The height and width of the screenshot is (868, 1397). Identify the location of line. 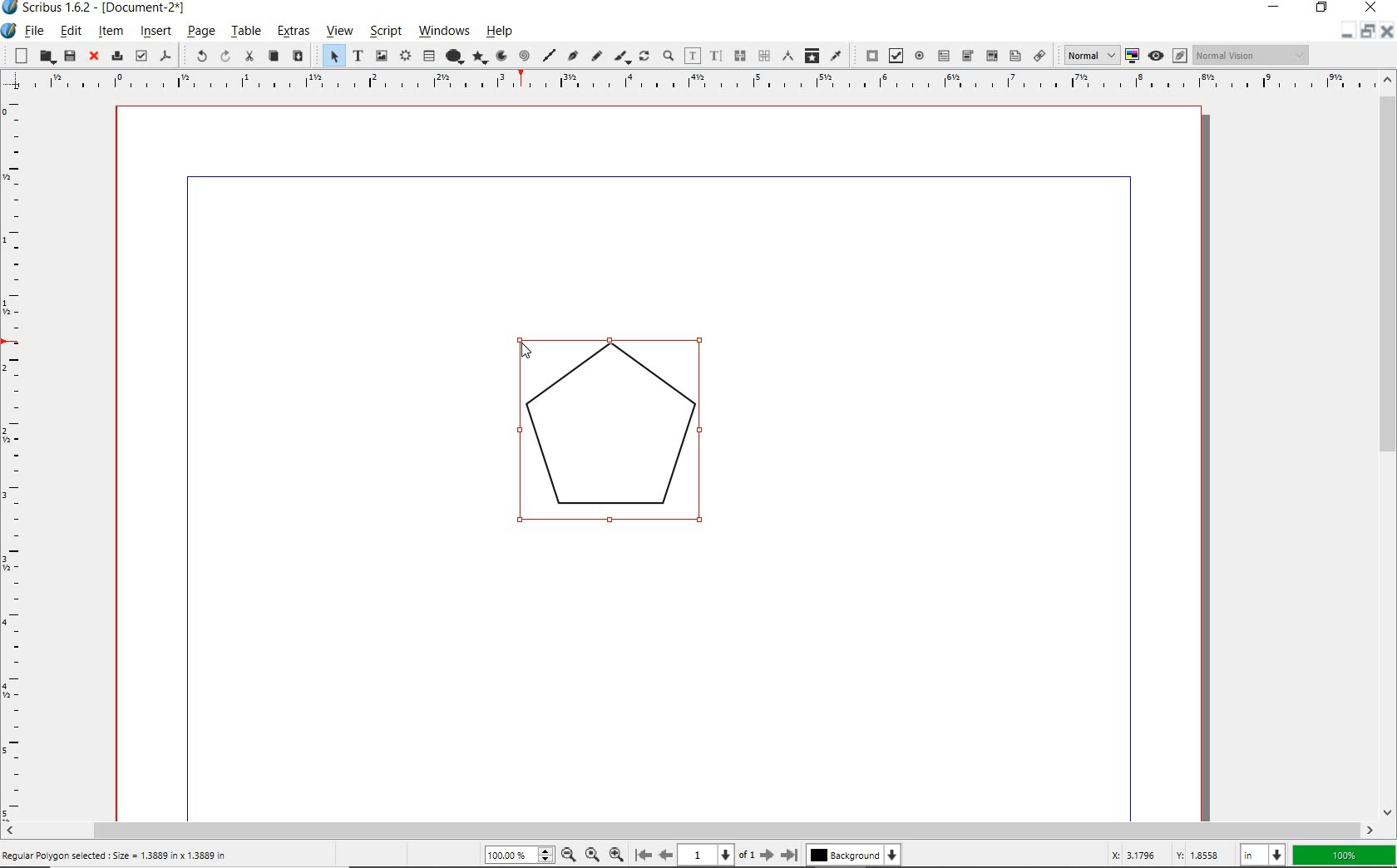
(548, 52).